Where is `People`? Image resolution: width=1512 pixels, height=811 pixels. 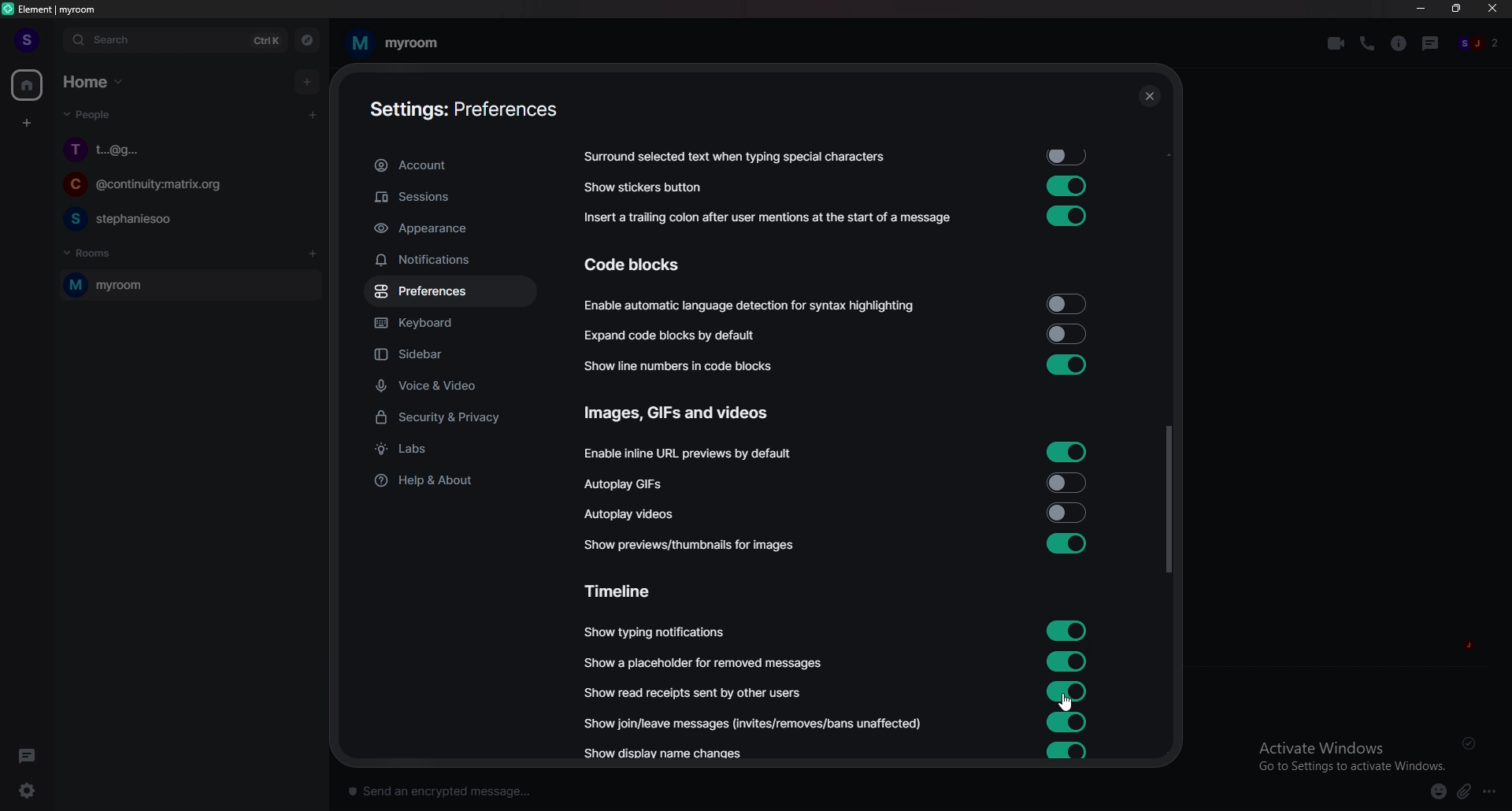
People is located at coordinates (84, 117).